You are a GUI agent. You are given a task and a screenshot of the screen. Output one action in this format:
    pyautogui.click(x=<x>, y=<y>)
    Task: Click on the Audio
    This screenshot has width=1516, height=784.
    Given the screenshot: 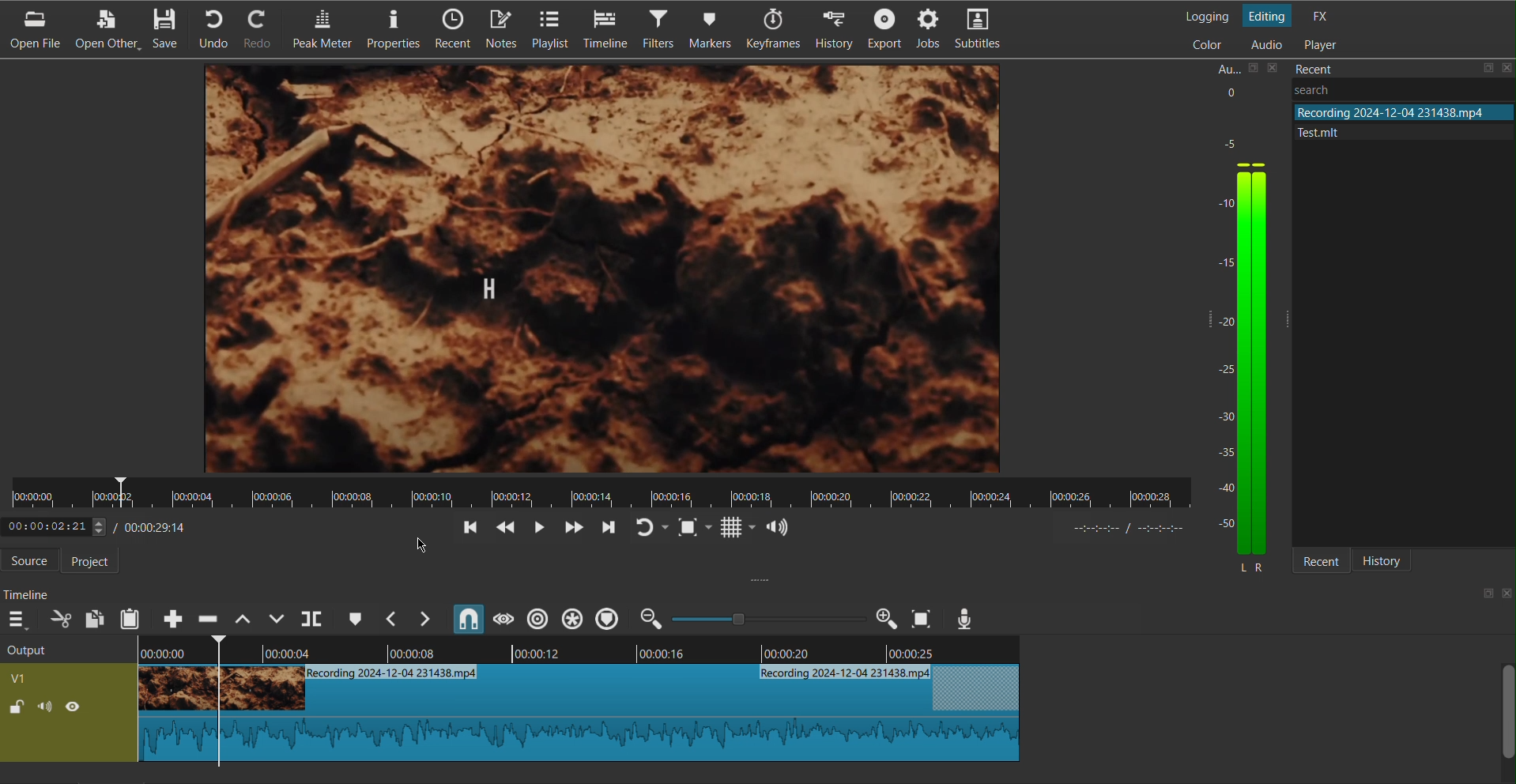 What is the action you would take?
    pyautogui.click(x=1265, y=45)
    